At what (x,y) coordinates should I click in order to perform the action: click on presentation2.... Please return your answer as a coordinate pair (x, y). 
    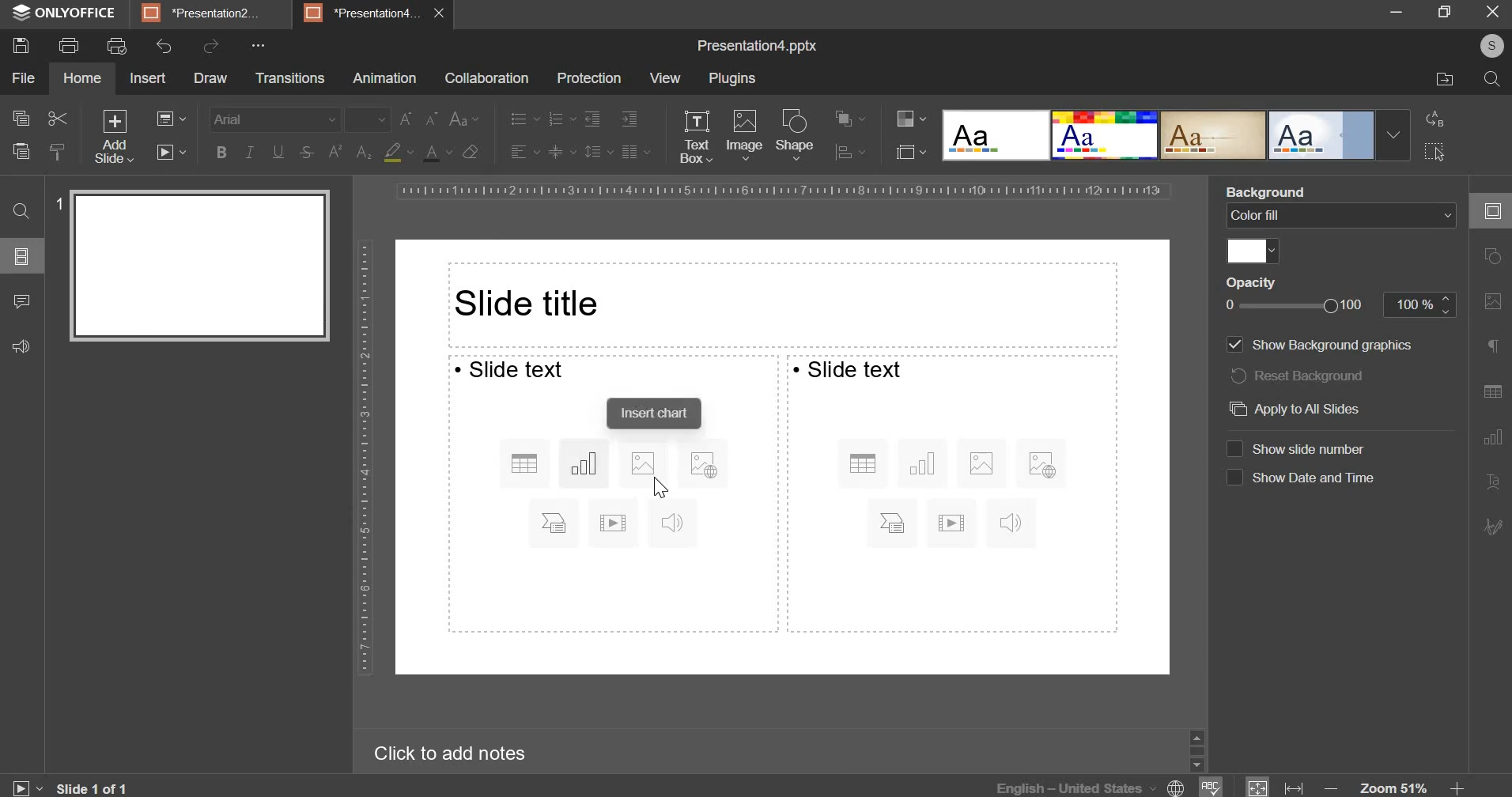
    Looking at the image, I should click on (202, 13).